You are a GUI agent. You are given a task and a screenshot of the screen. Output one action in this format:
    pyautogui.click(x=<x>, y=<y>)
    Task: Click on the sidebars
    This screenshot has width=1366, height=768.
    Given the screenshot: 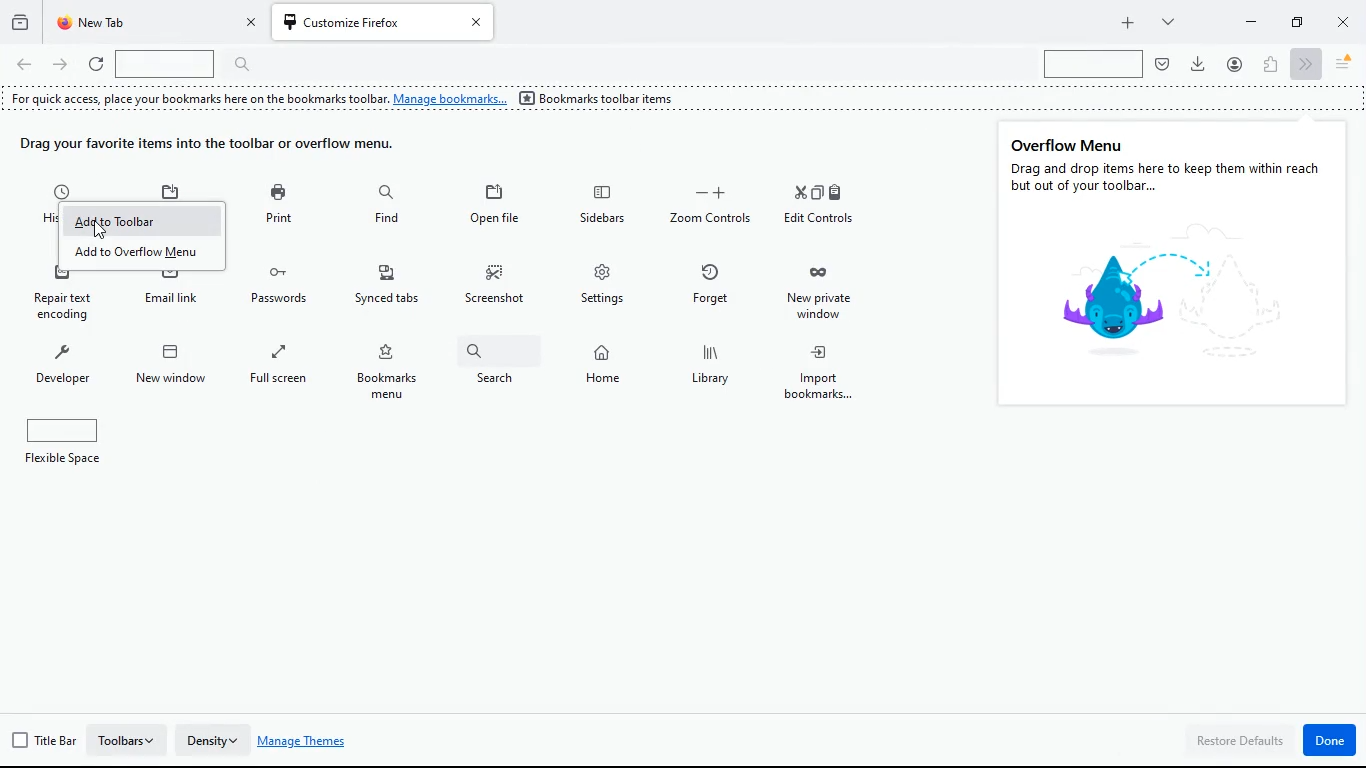 What is the action you would take?
    pyautogui.click(x=607, y=205)
    